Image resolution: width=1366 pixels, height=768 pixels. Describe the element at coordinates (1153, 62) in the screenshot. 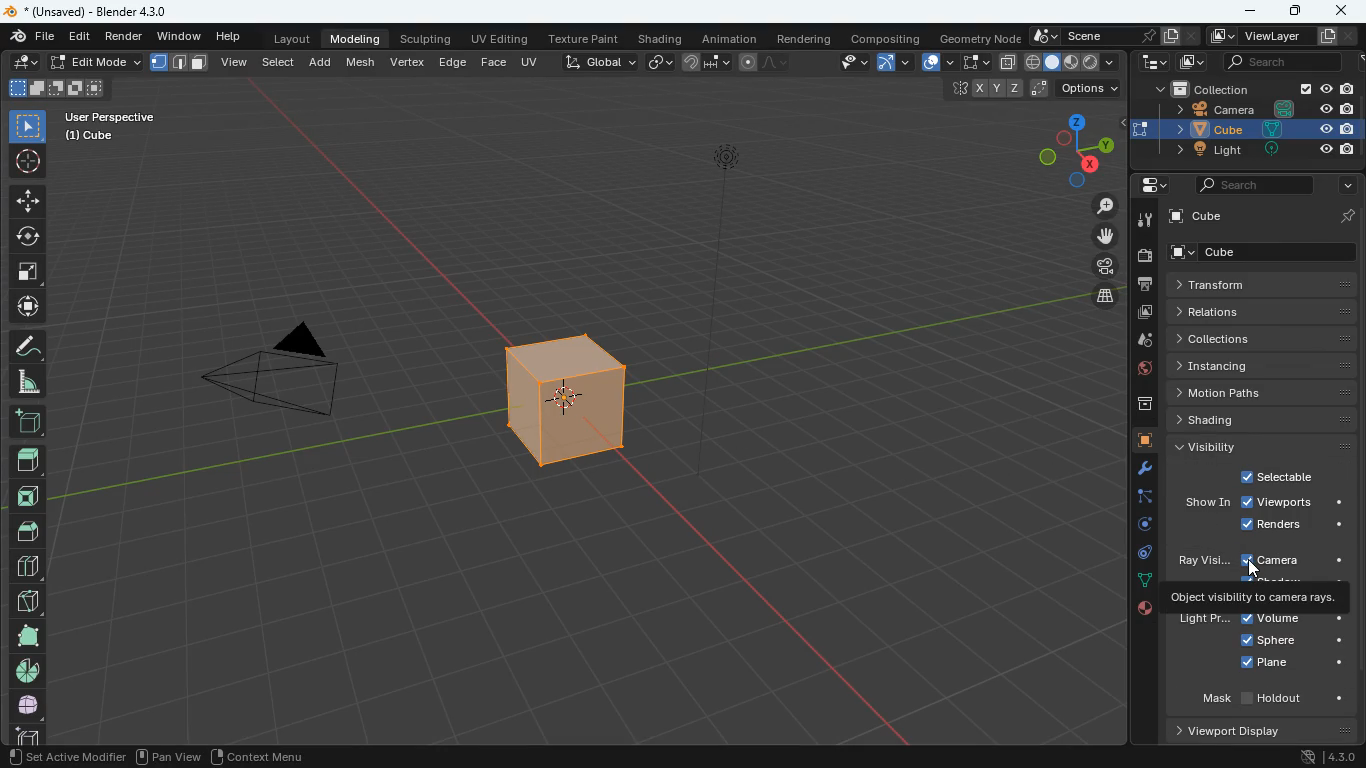

I see `tech` at that location.